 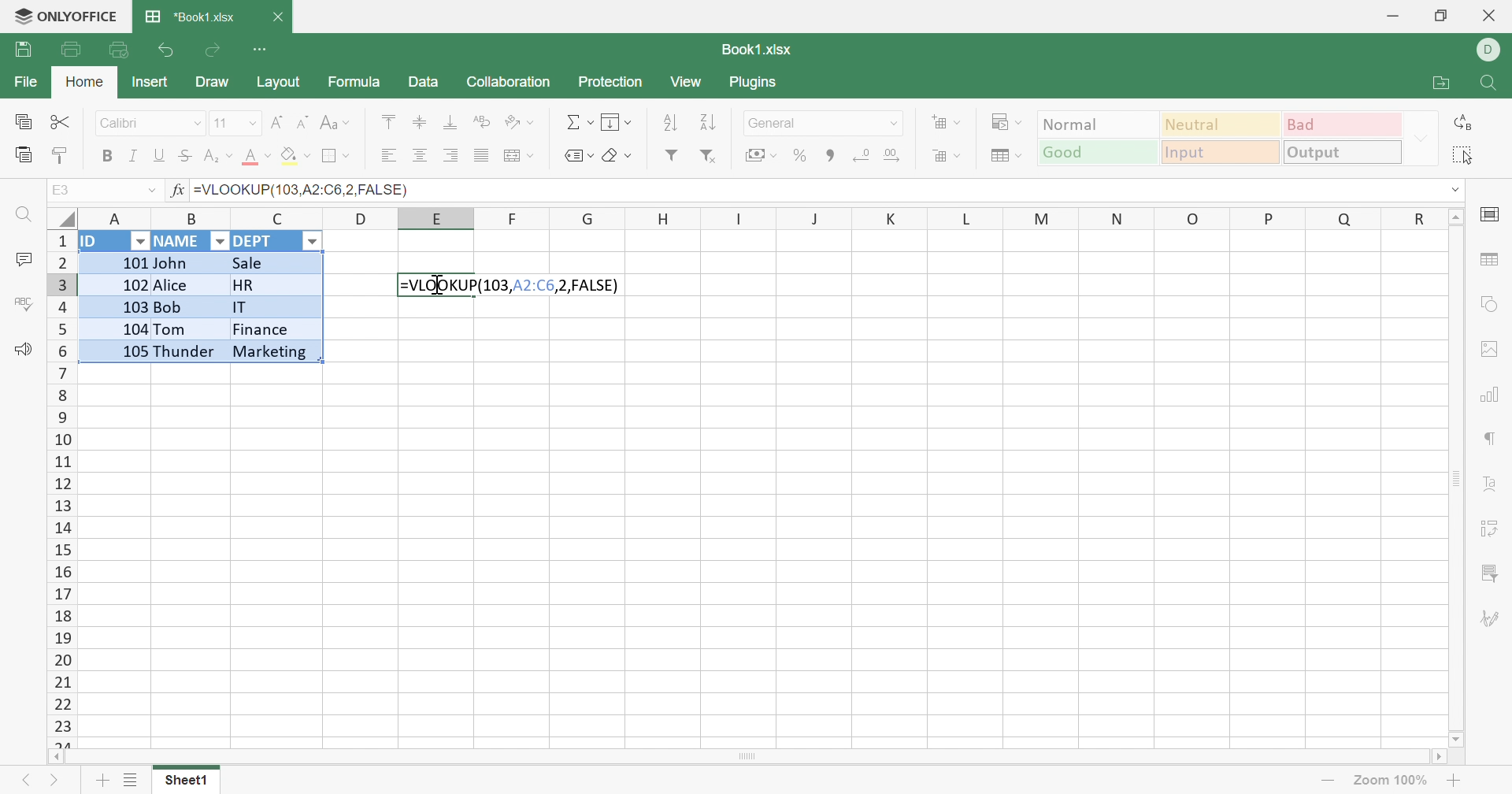 I want to click on Text Art settings, so click(x=1490, y=485).